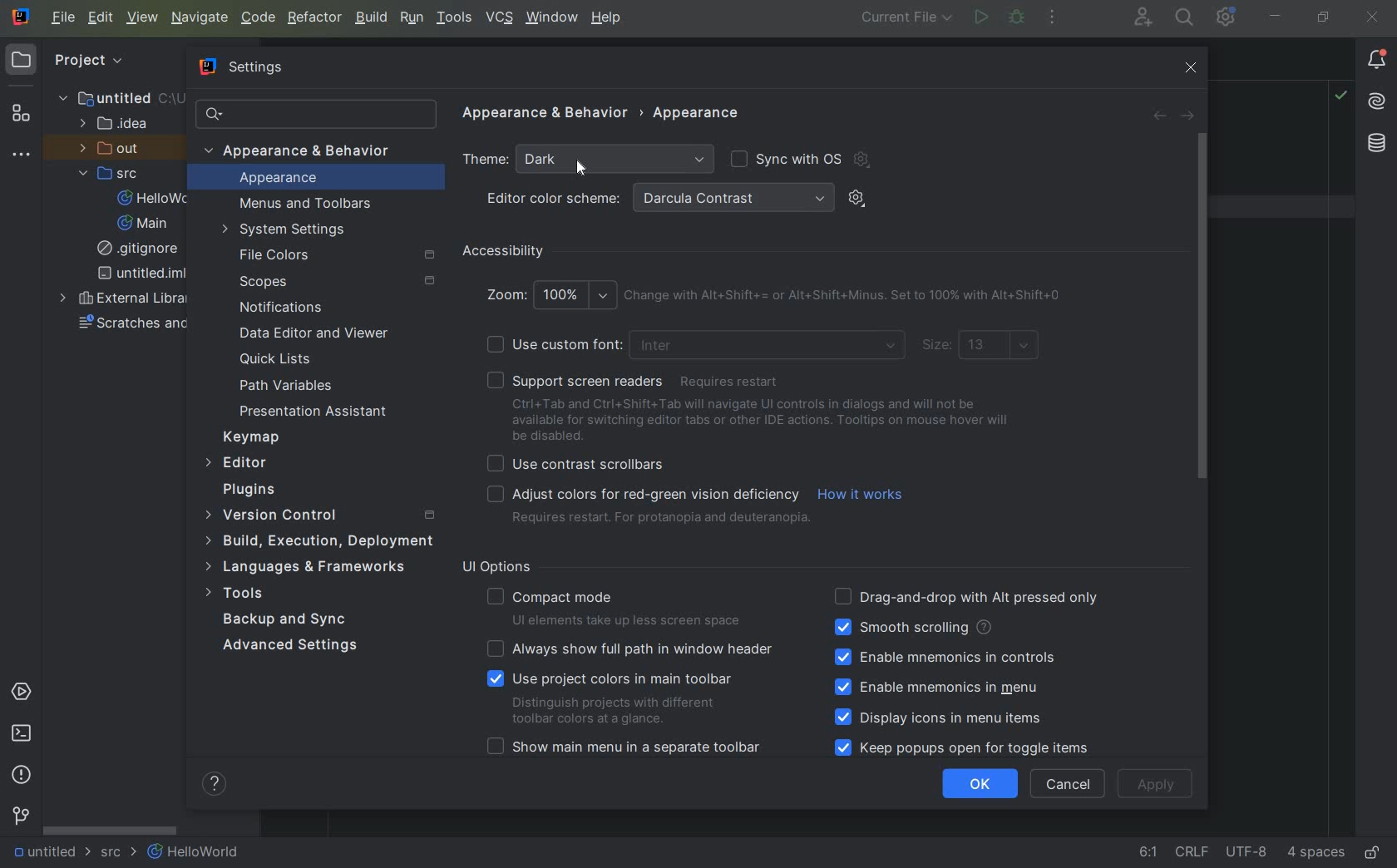 Image resolution: width=1397 pixels, height=868 pixels. What do you see at coordinates (239, 464) in the screenshot?
I see `EDITOR` at bounding box center [239, 464].